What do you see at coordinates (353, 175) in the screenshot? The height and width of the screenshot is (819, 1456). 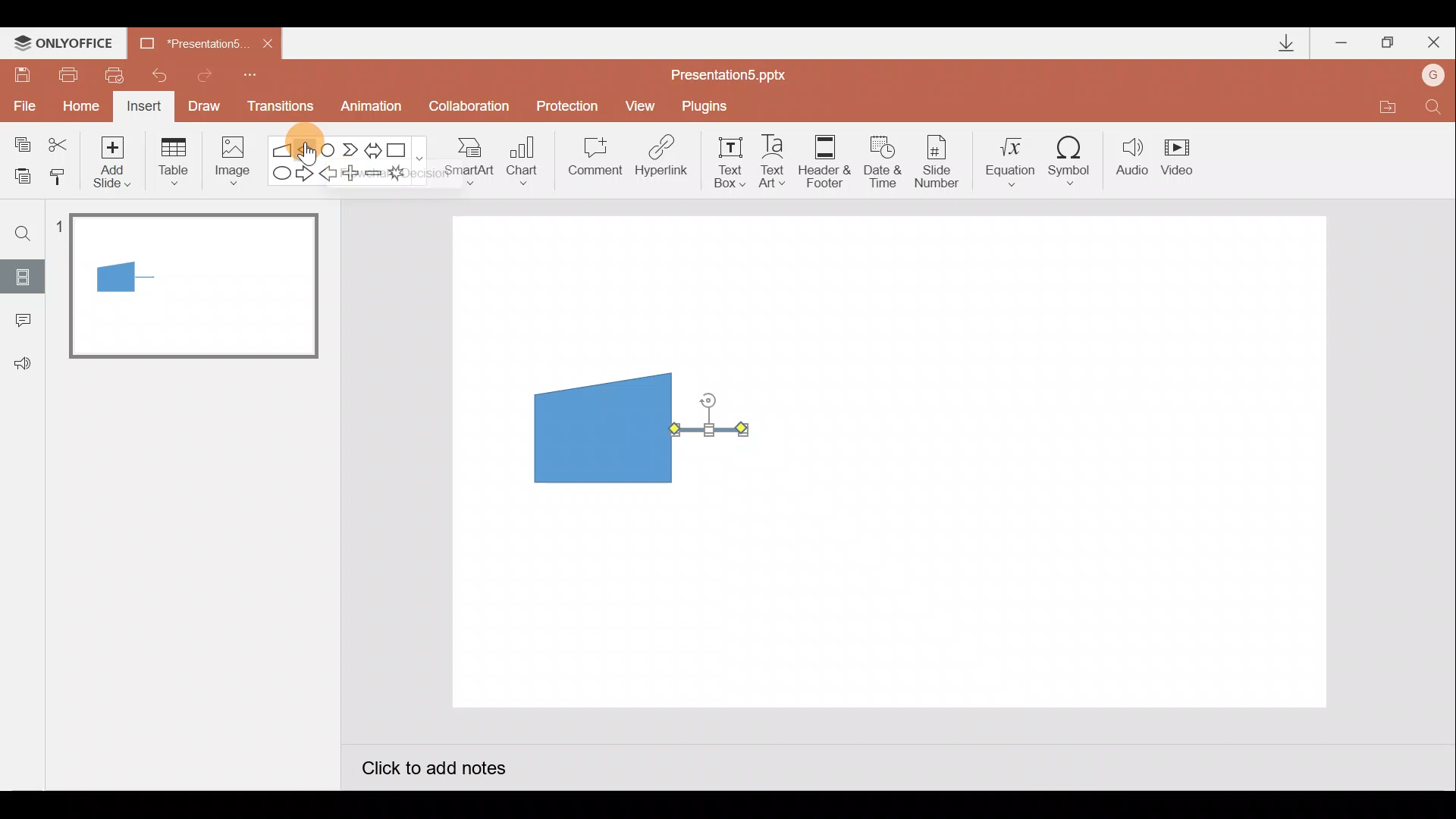 I see `Plus` at bounding box center [353, 175].